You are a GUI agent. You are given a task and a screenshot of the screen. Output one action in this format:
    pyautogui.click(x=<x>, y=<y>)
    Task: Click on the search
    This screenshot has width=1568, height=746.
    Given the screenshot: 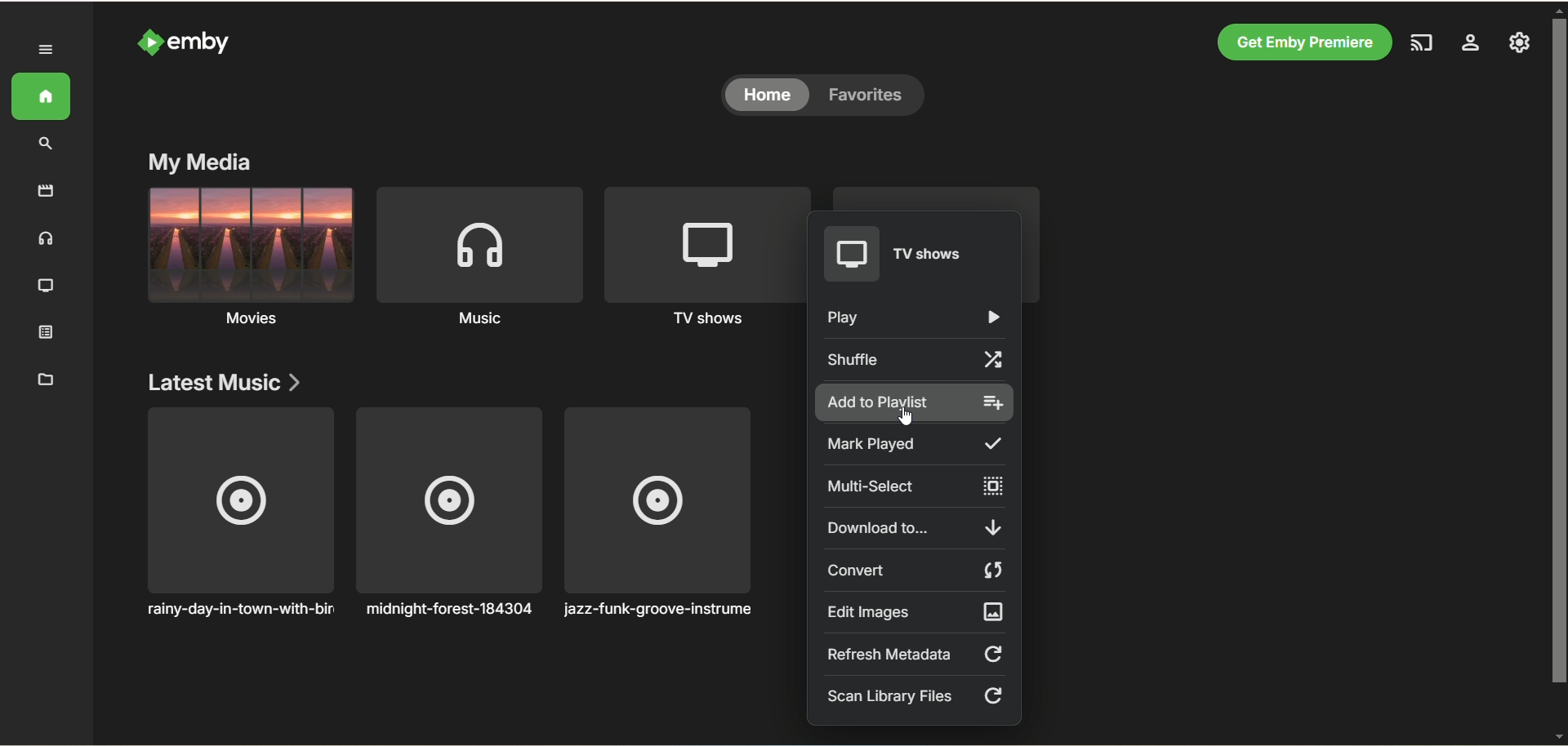 What is the action you would take?
    pyautogui.click(x=48, y=144)
    